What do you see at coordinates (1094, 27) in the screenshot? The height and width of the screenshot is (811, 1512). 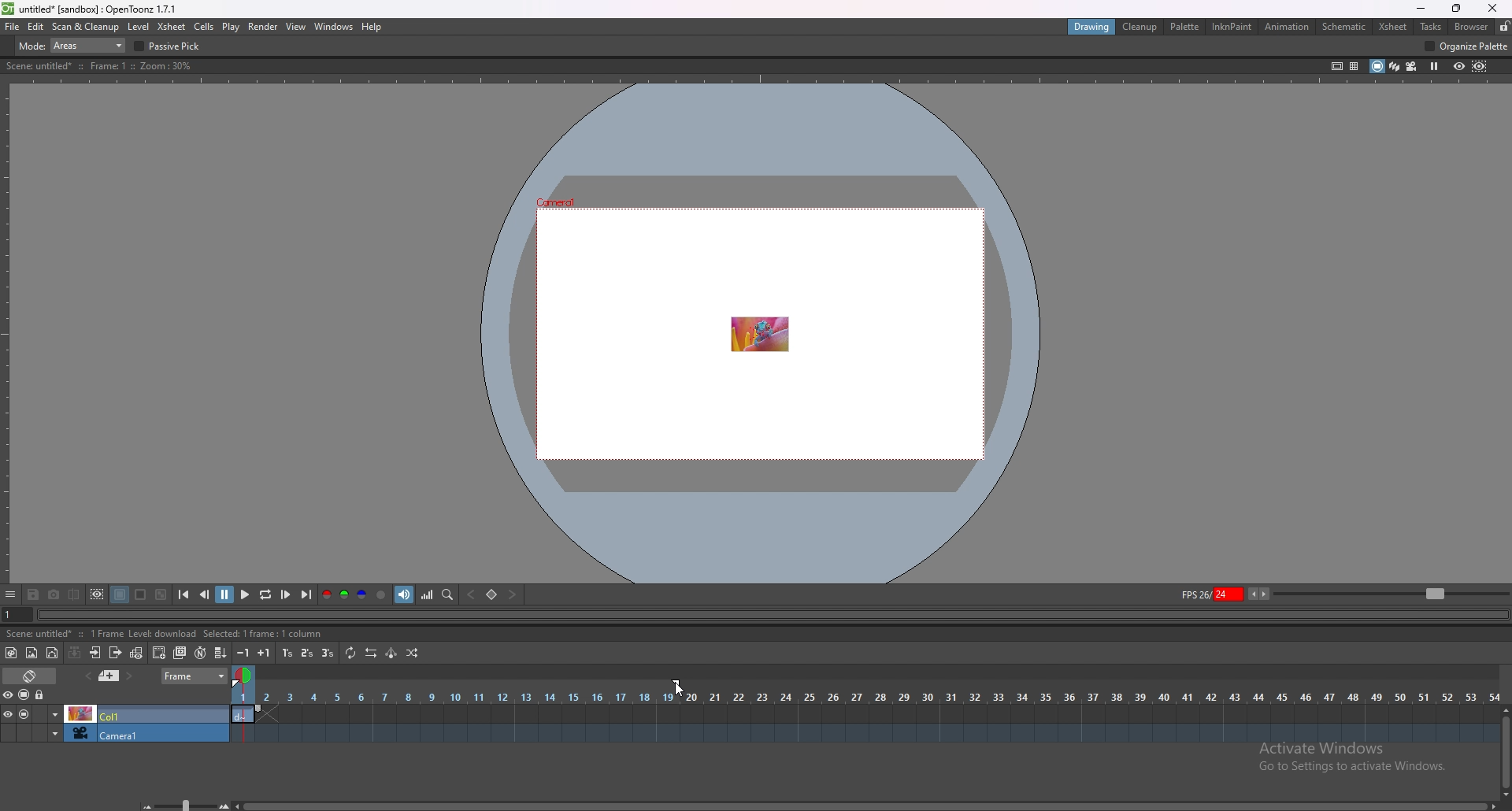 I see `drawing` at bounding box center [1094, 27].